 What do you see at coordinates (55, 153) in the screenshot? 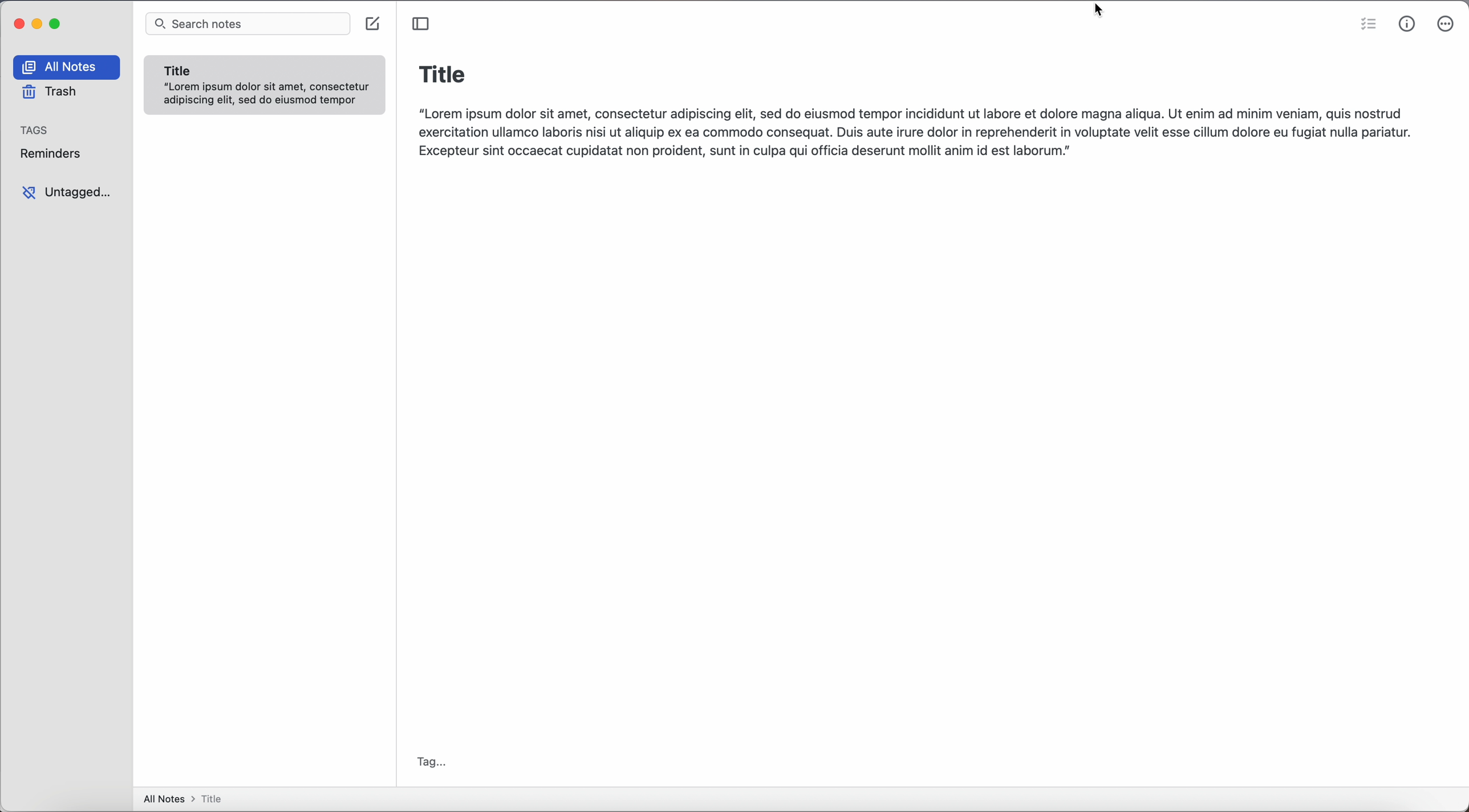
I see `reminders` at bounding box center [55, 153].